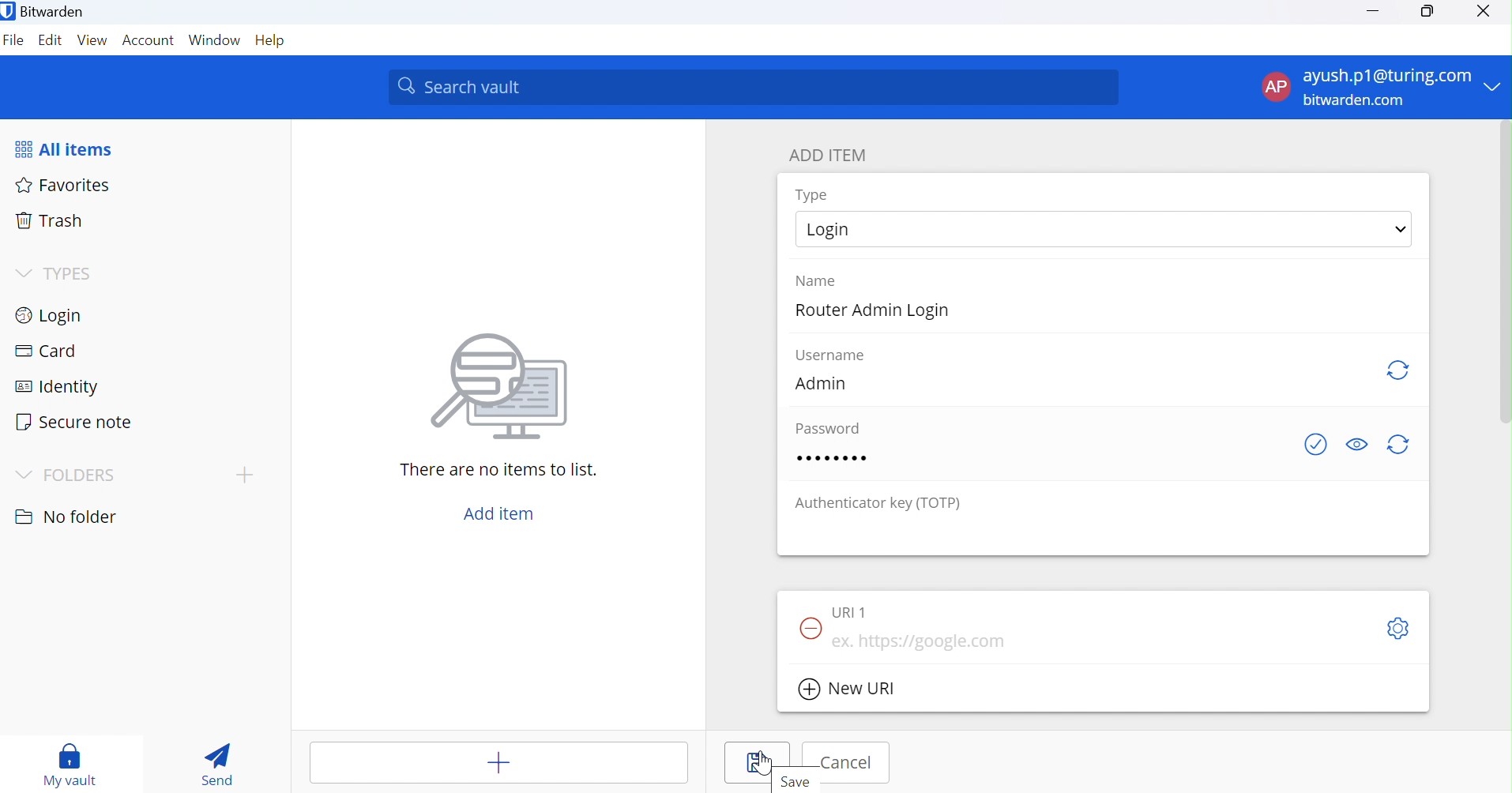 This screenshot has height=793, width=1512. Describe the element at coordinates (923, 642) in the screenshot. I see `https://google ta` at that location.